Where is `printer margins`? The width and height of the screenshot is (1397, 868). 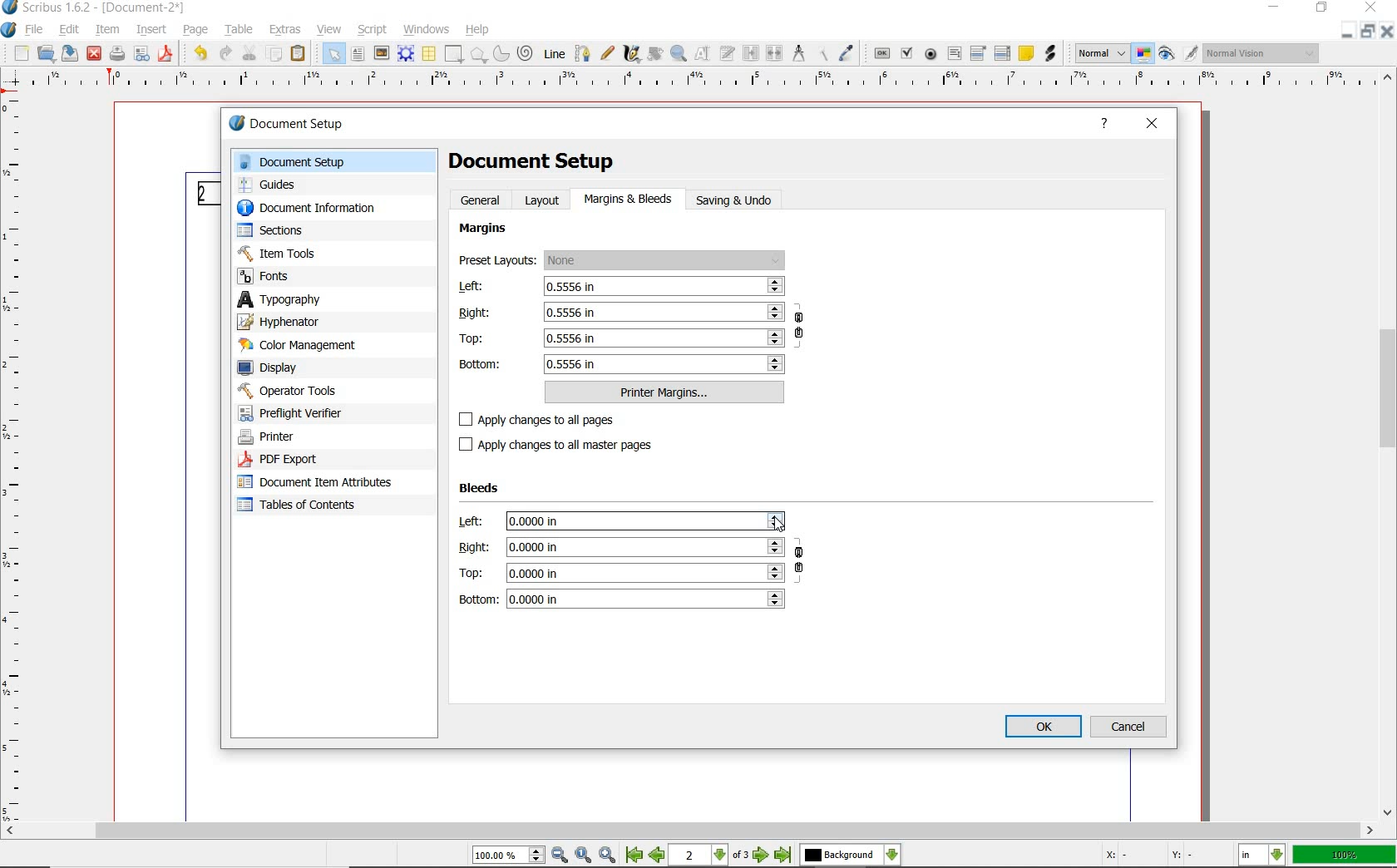 printer margins is located at coordinates (665, 392).